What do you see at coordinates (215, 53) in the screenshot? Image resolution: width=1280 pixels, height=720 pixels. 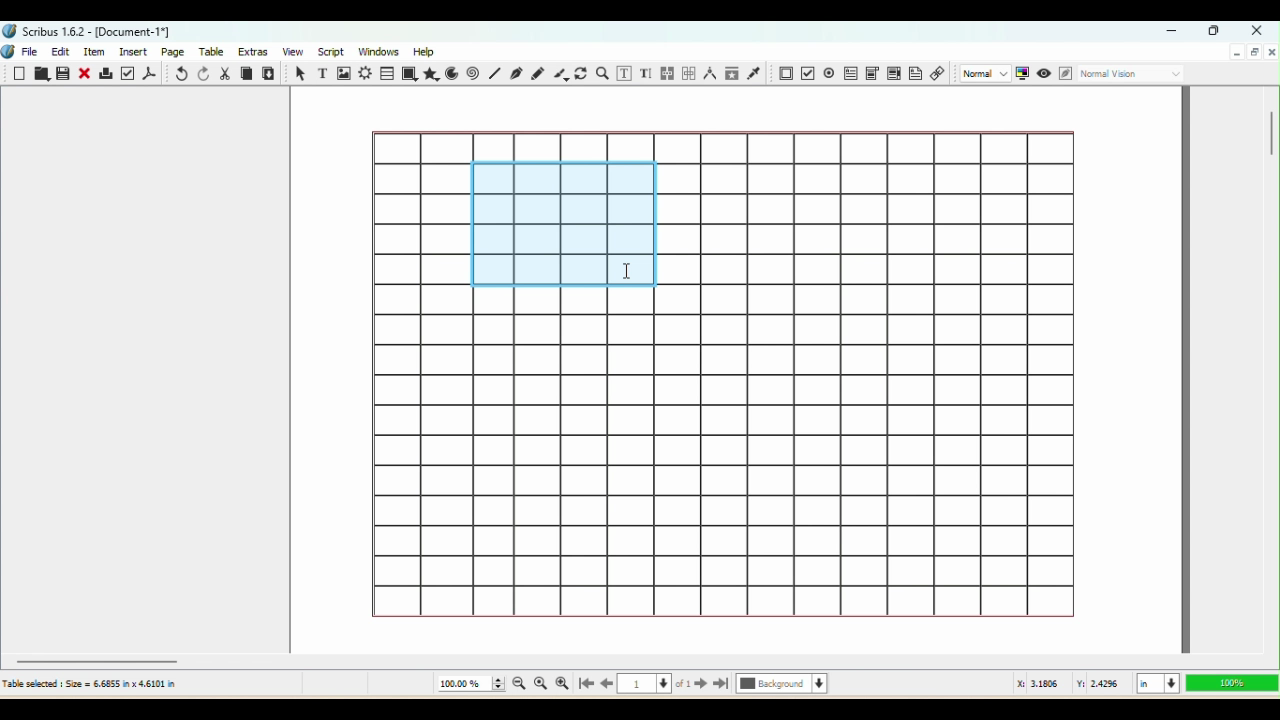 I see `Table` at bounding box center [215, 53].